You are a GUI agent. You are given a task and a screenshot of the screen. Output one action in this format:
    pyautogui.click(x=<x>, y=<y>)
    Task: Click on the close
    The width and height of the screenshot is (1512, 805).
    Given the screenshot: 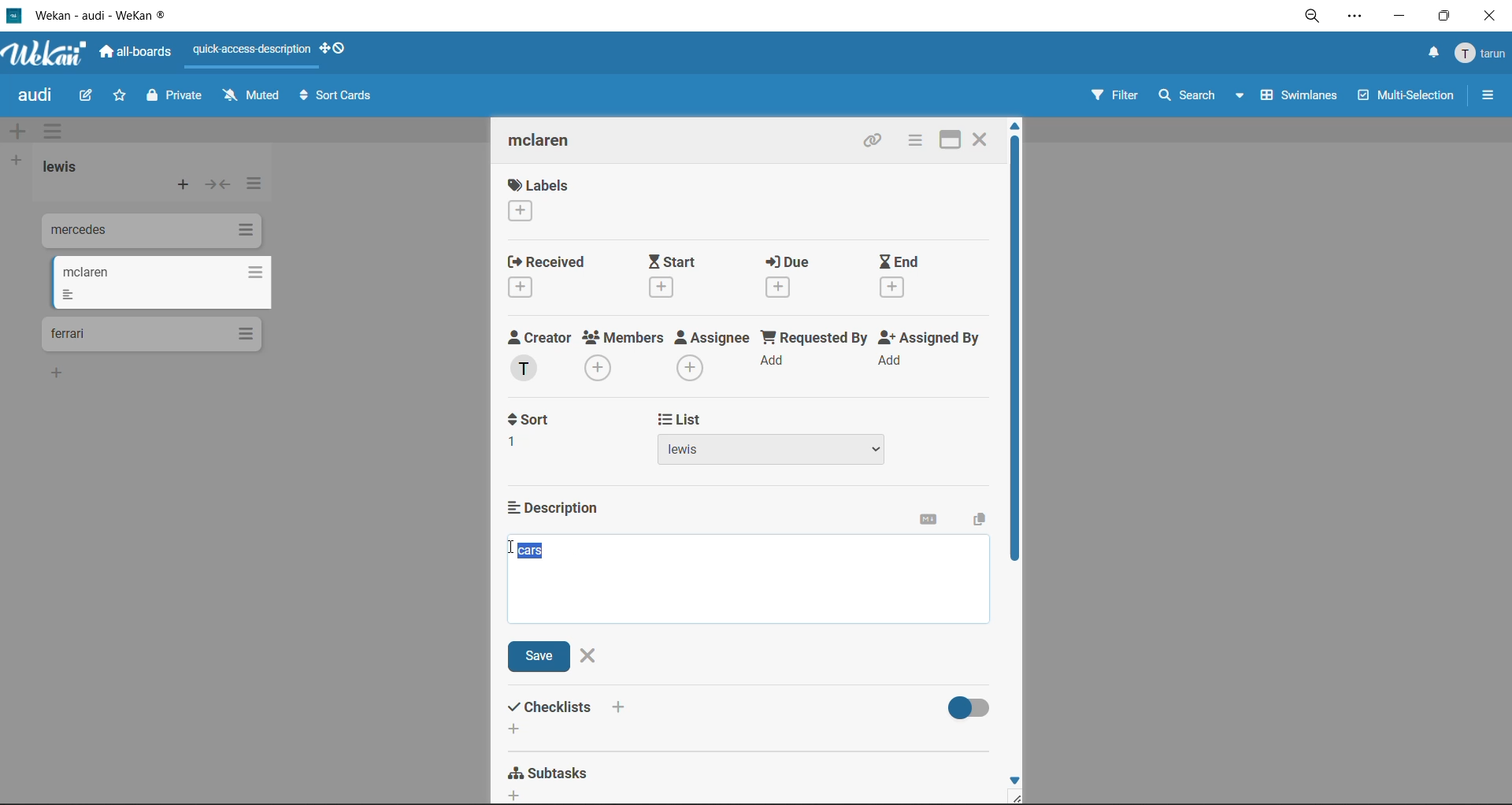 What is the action you would take?
    pyautogui.click(x=1494, y=16)
    